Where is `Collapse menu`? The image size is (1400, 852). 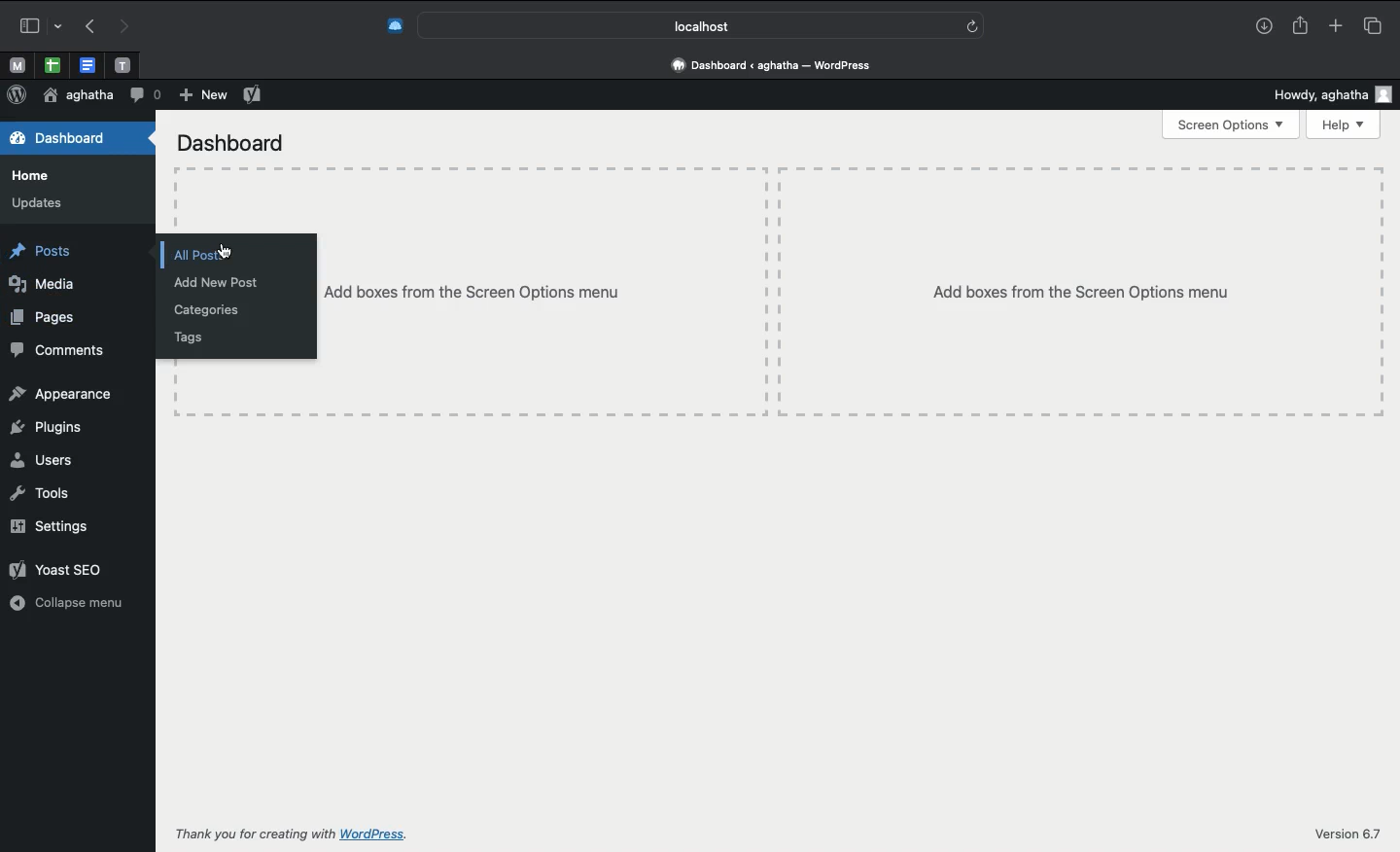
Collapse menu is located at coordinates (67, 604).